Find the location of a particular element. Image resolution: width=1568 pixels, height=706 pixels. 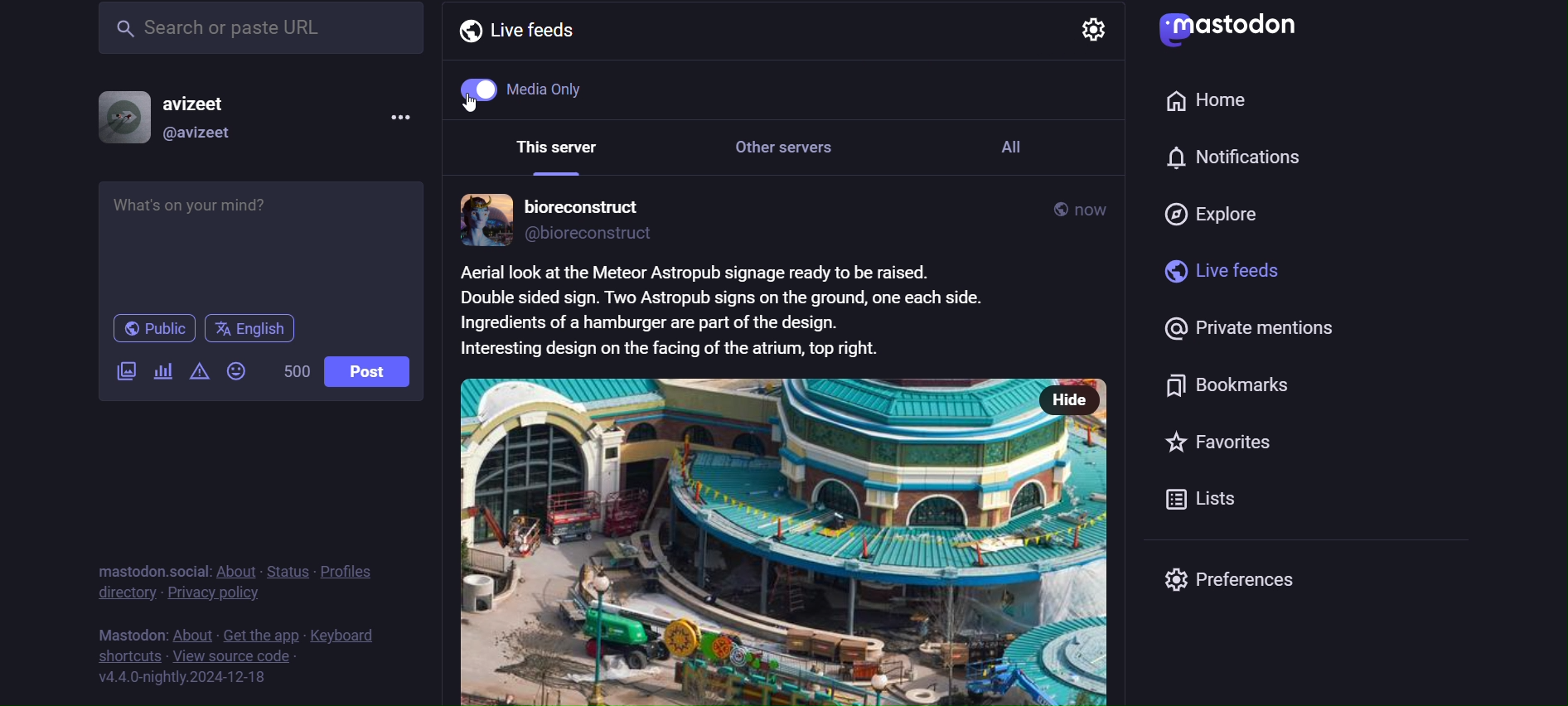

@avizeet is located at coordinates (202, 133).